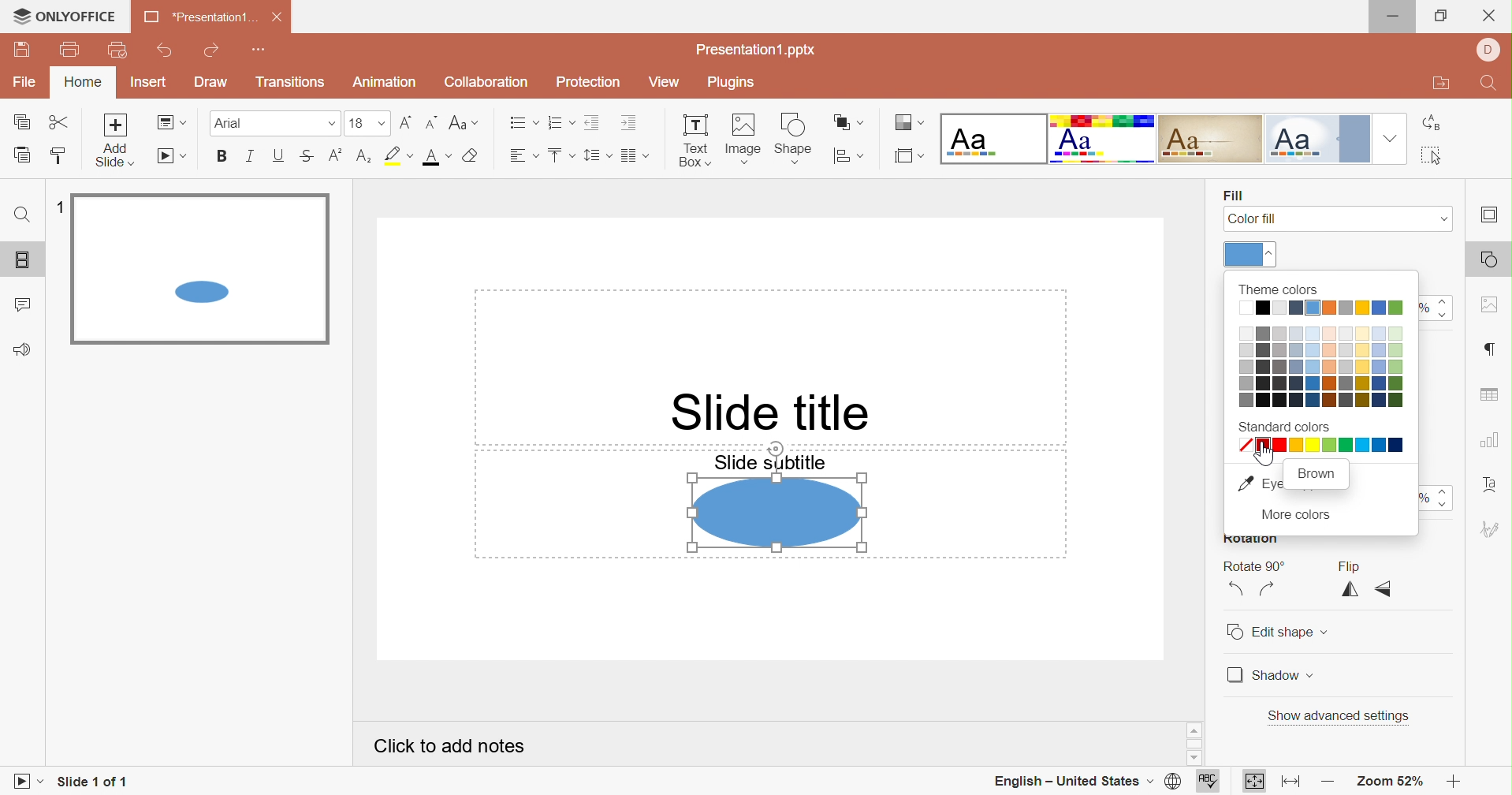 The height and width of the screenshot is (795, 1512). Describe the element at coordinates (1489, 85) in the screenshot. I see `Find` at that location.